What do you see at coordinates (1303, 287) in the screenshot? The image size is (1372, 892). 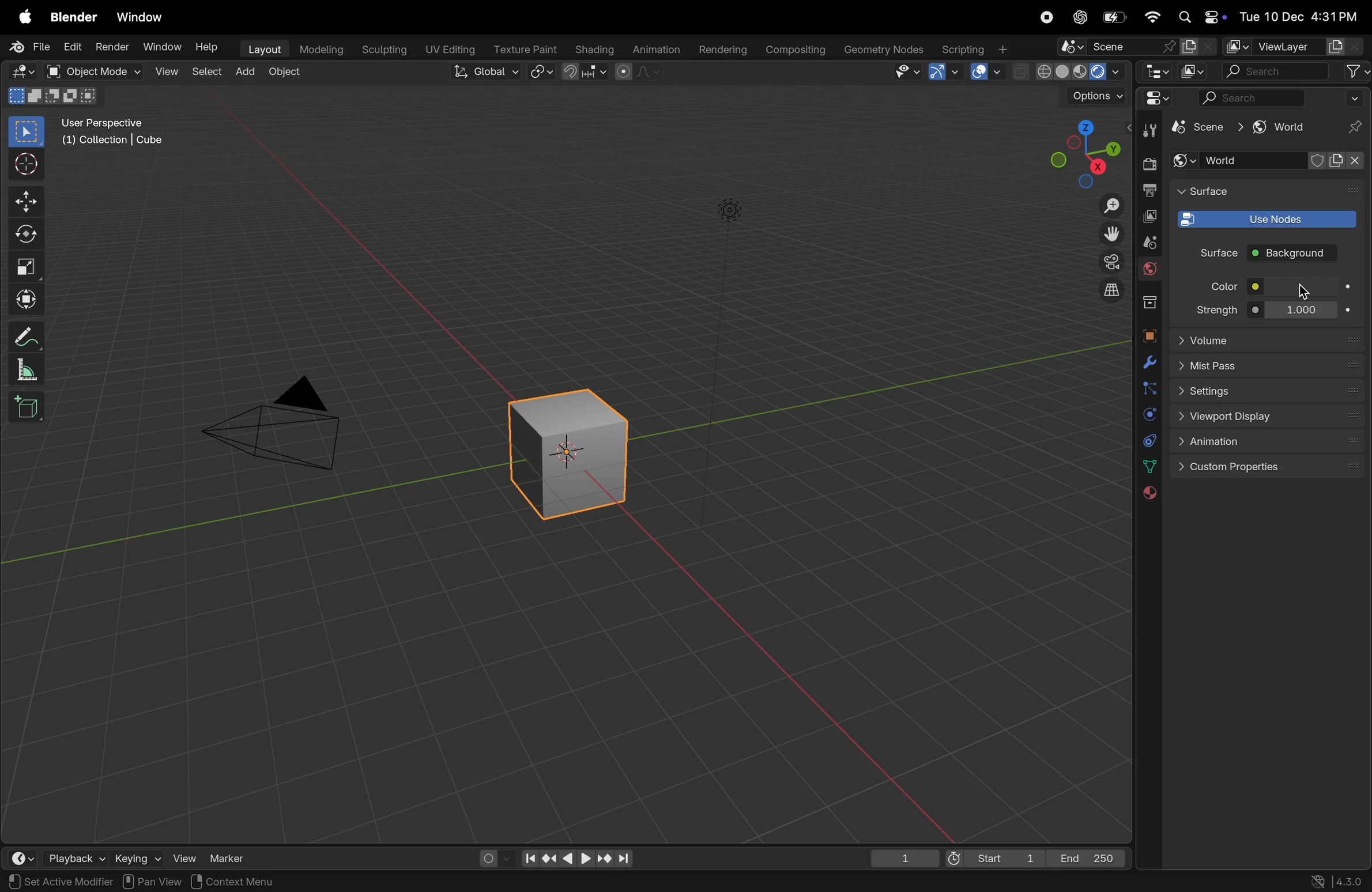 I see `bar` at bounding box center [1303, 287].